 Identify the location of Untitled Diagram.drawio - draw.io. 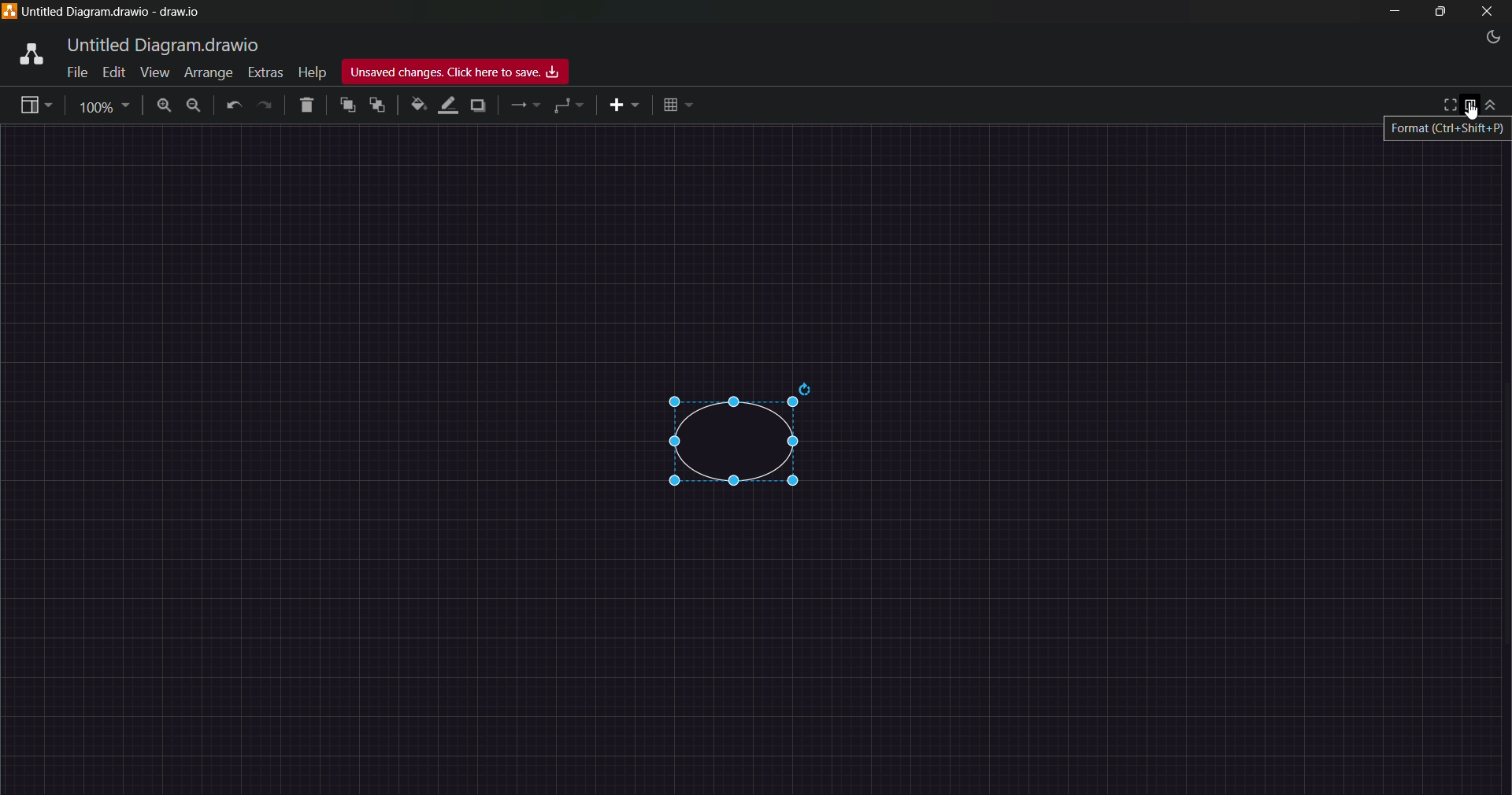
(114, 12).